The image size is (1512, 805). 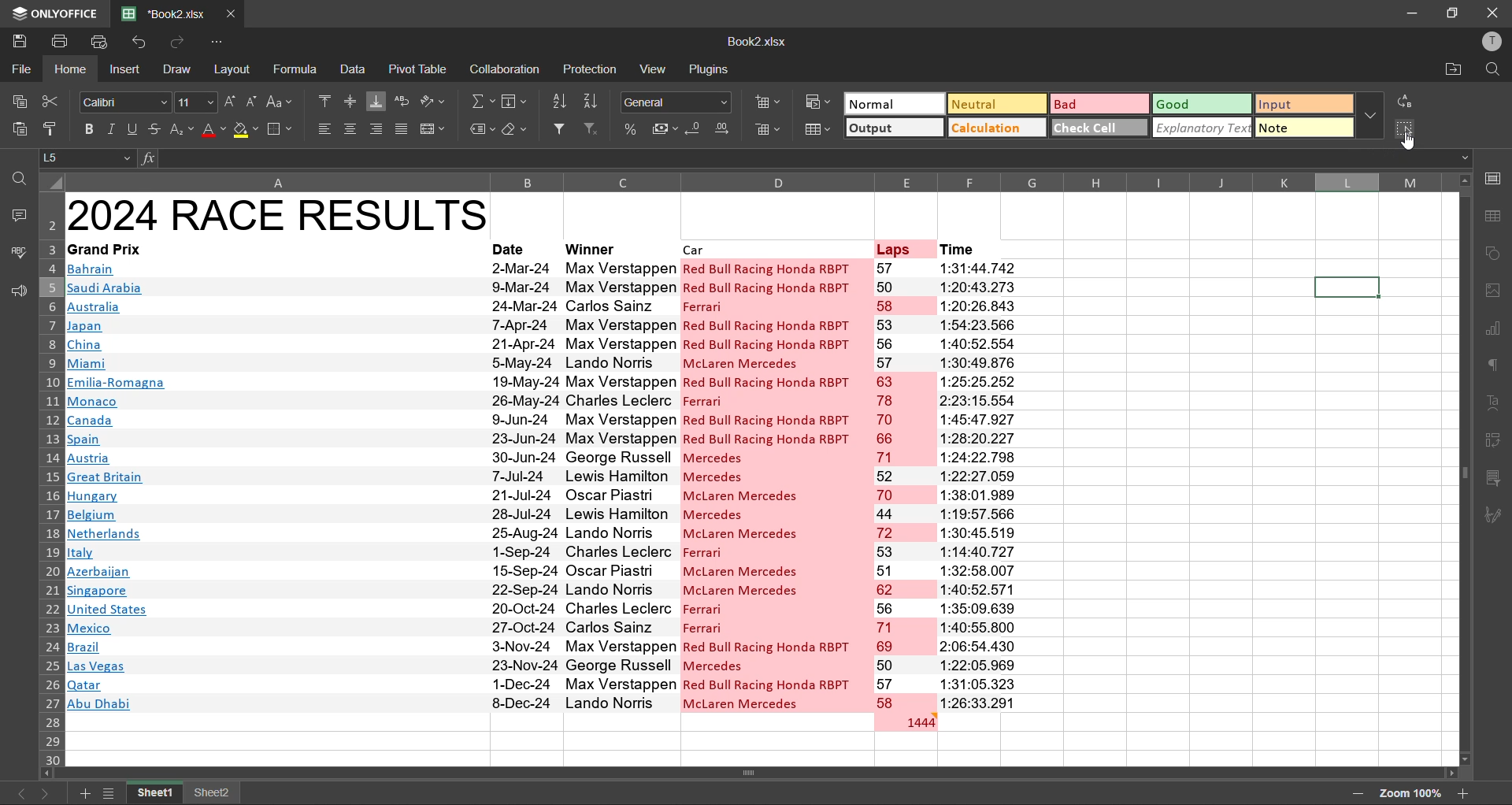 What do you see at coordinates (349, 101) in the screenshot?
I see `align middle` at bounding box center [349, 101].